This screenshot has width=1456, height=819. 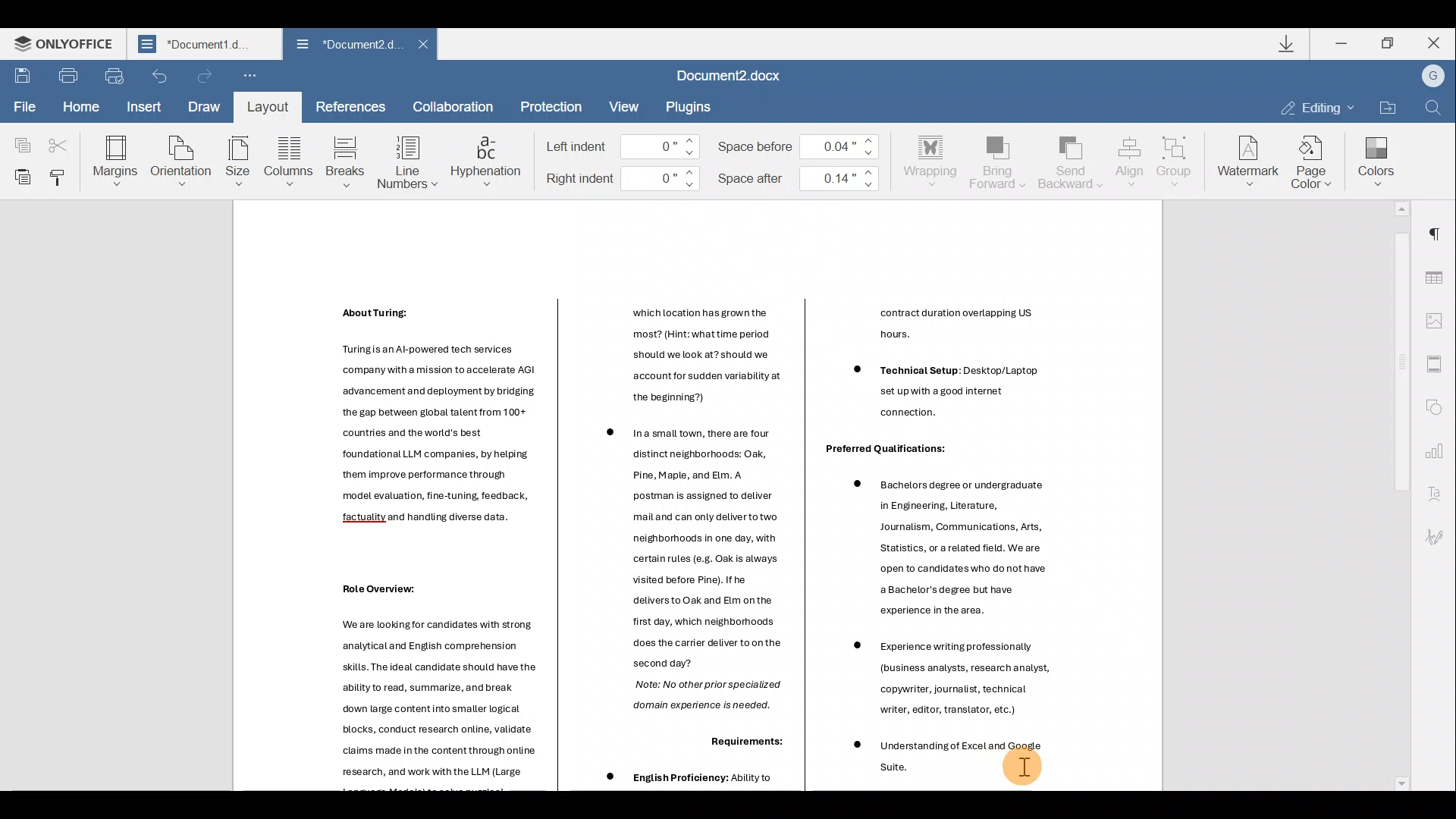 What do you see at coordinates (406, 161) in the screenshot?
I see `Line numbers` at bounding box center [406, 161].